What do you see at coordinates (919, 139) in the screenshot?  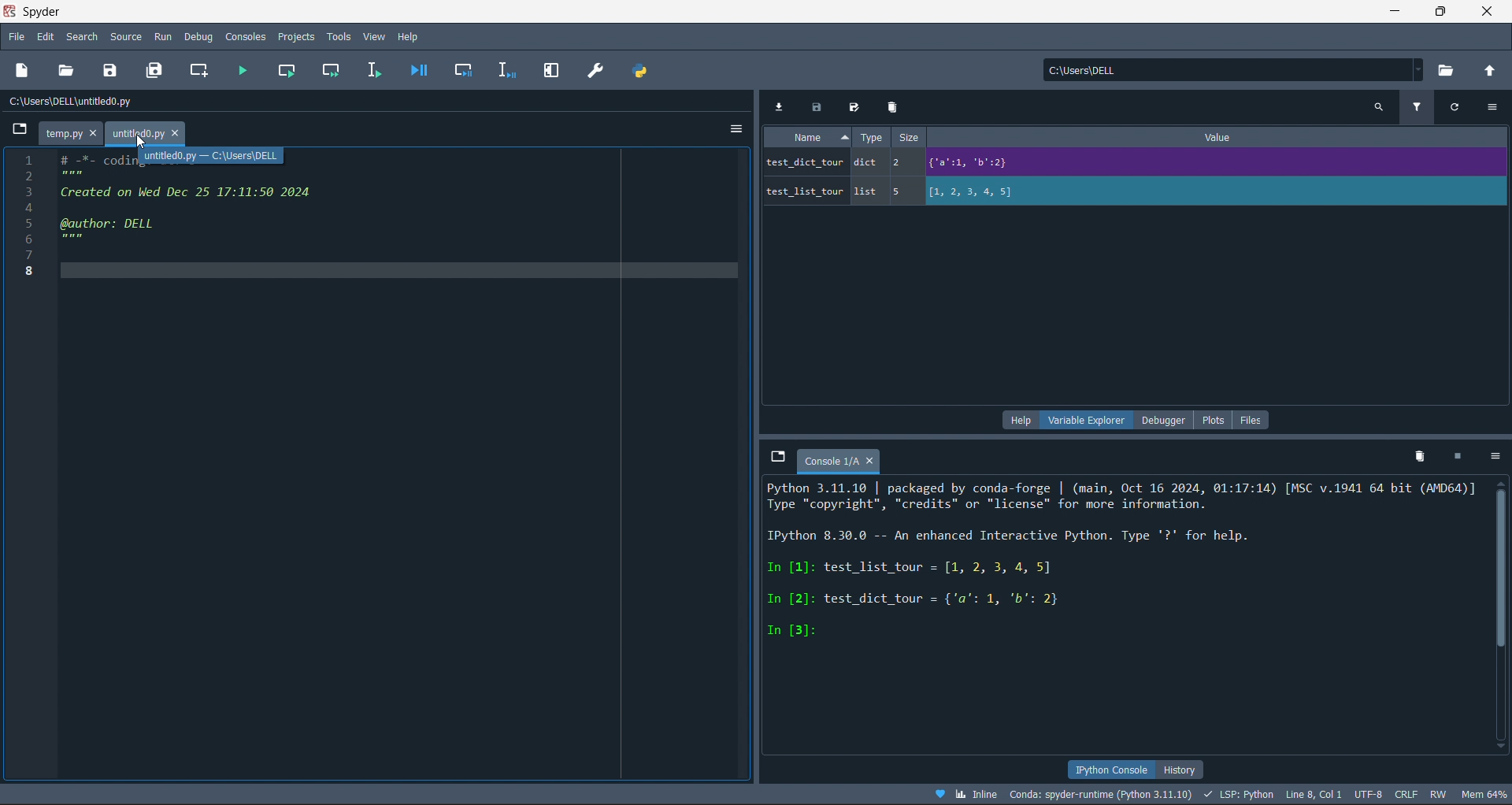 I see `size` at bounding box center [919, 139].